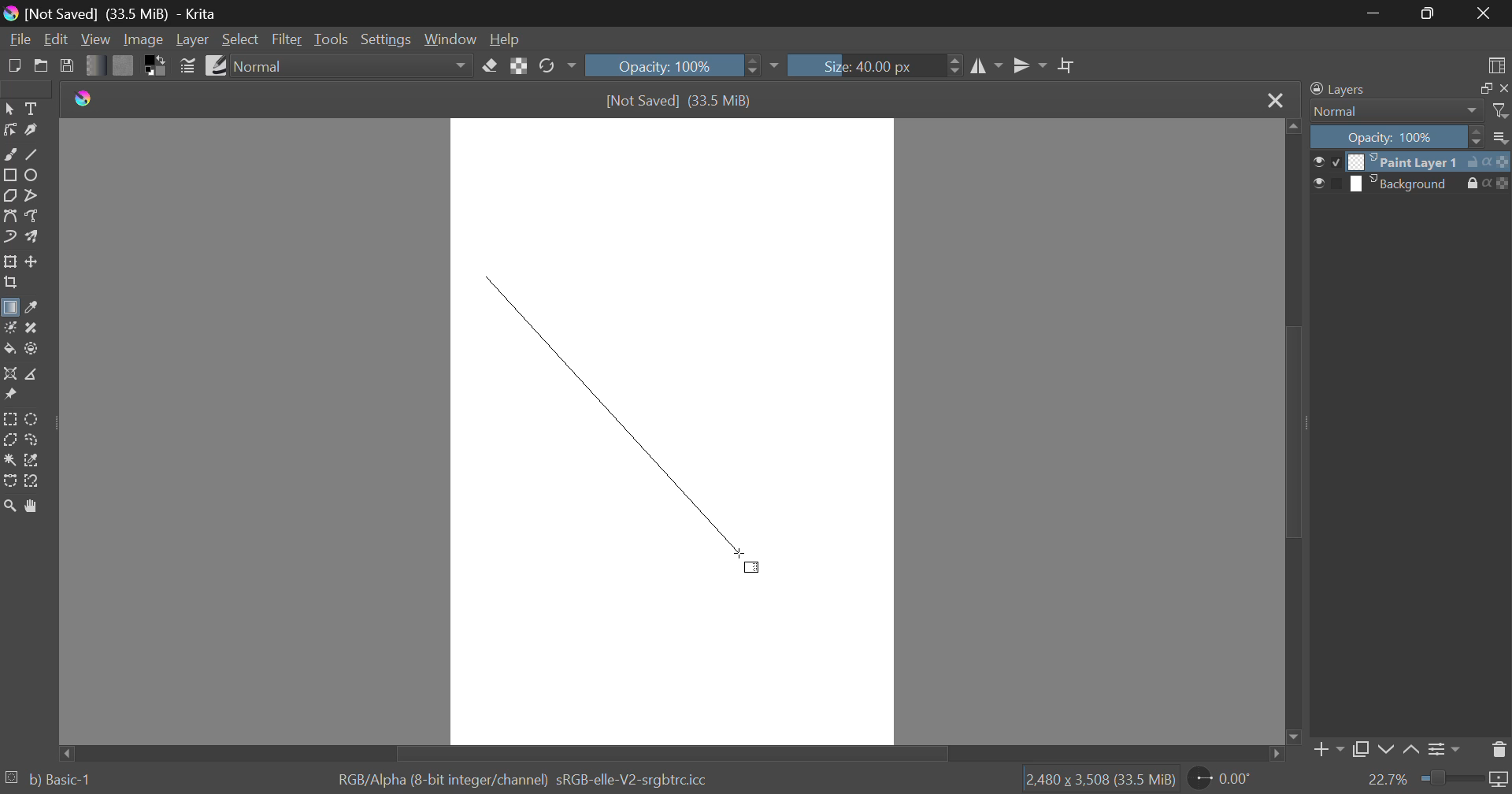 The width and height of the screenshot is (1512, 794). What do you see at coordinates (96, 65) in the screenshot?
I see `Gradient` at bounding box center [96, 65].